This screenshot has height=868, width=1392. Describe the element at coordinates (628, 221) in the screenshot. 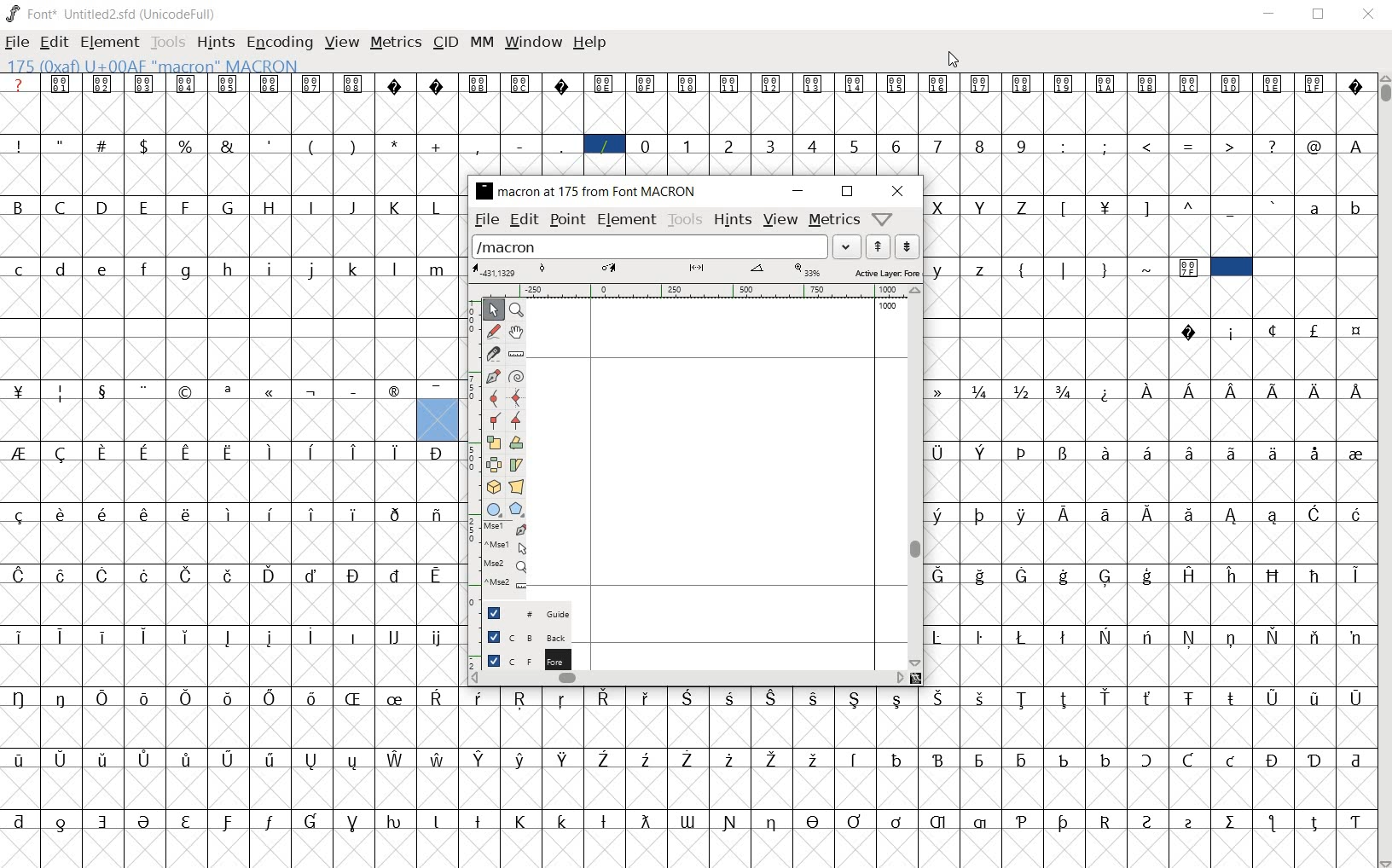

I see `element` at that location.